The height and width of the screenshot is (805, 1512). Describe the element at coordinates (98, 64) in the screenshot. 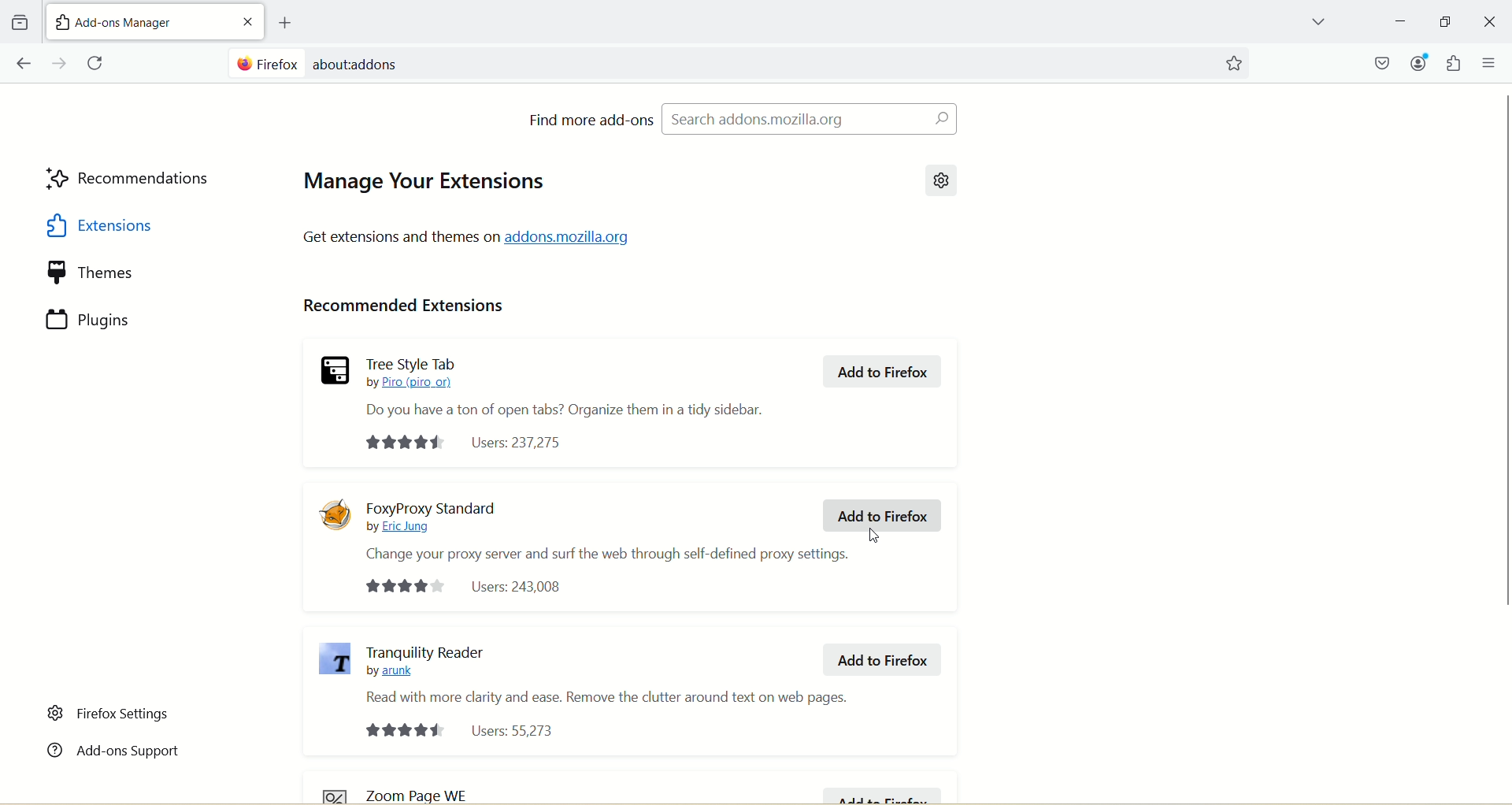

I see `Refresh` at that location.